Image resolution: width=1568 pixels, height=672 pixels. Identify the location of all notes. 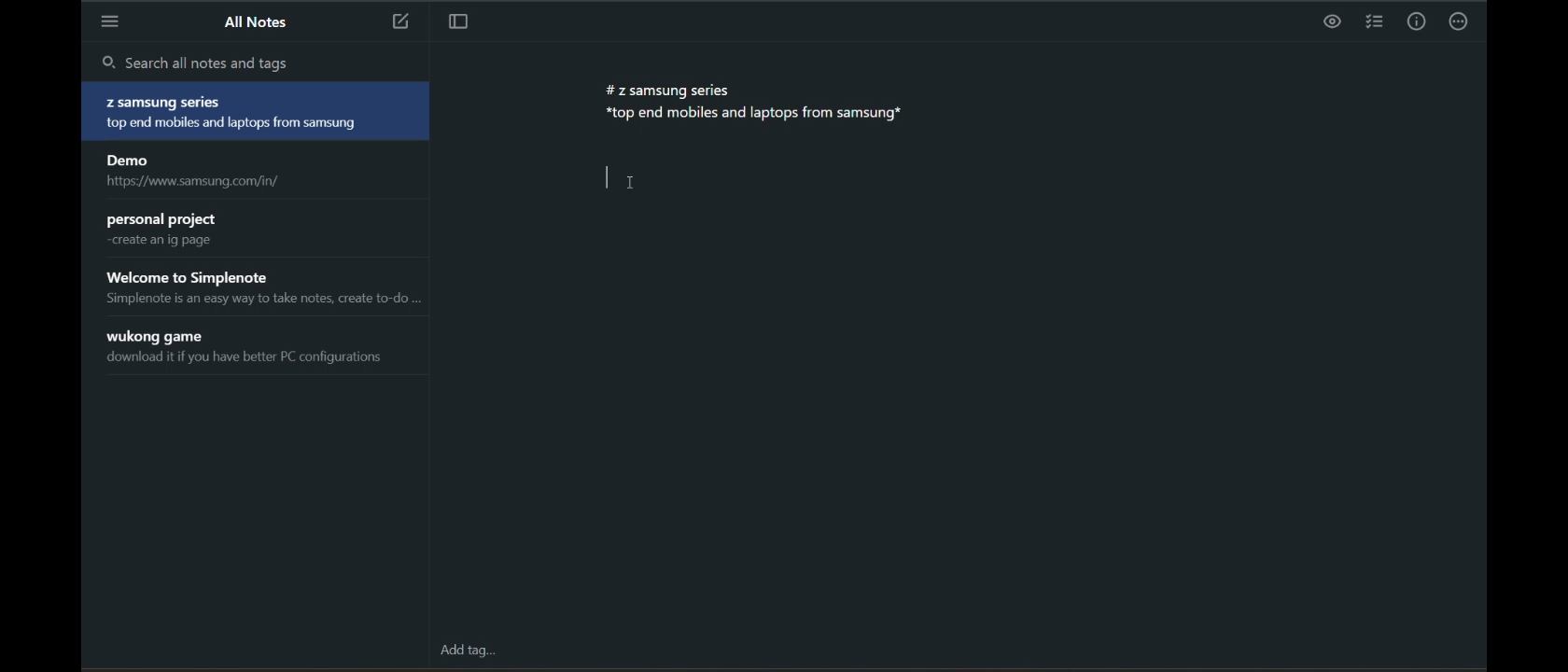
(260, 24).